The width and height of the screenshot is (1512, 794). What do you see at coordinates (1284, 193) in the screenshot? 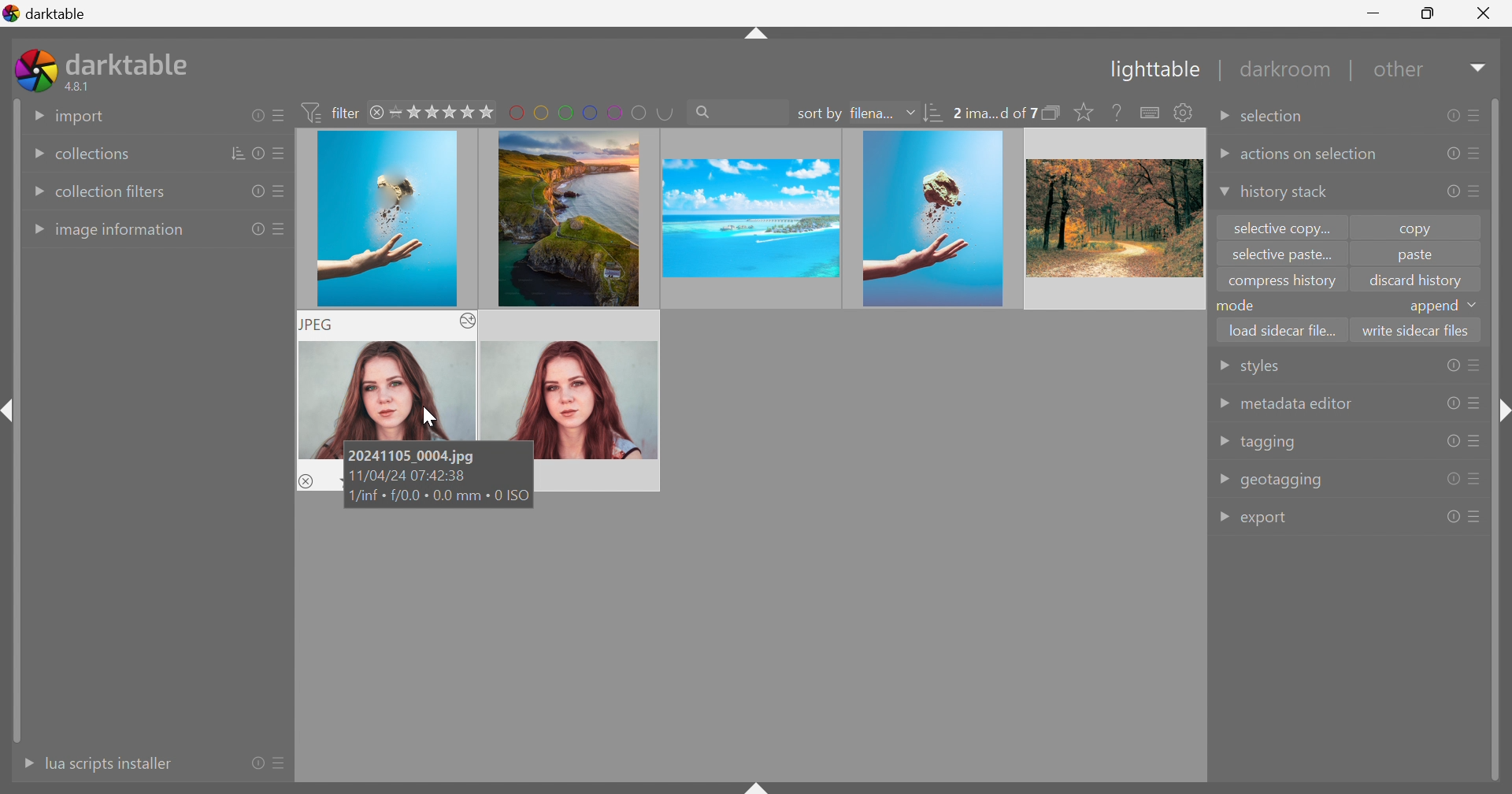
I see `history stack` at bounding box center [1284, 193].